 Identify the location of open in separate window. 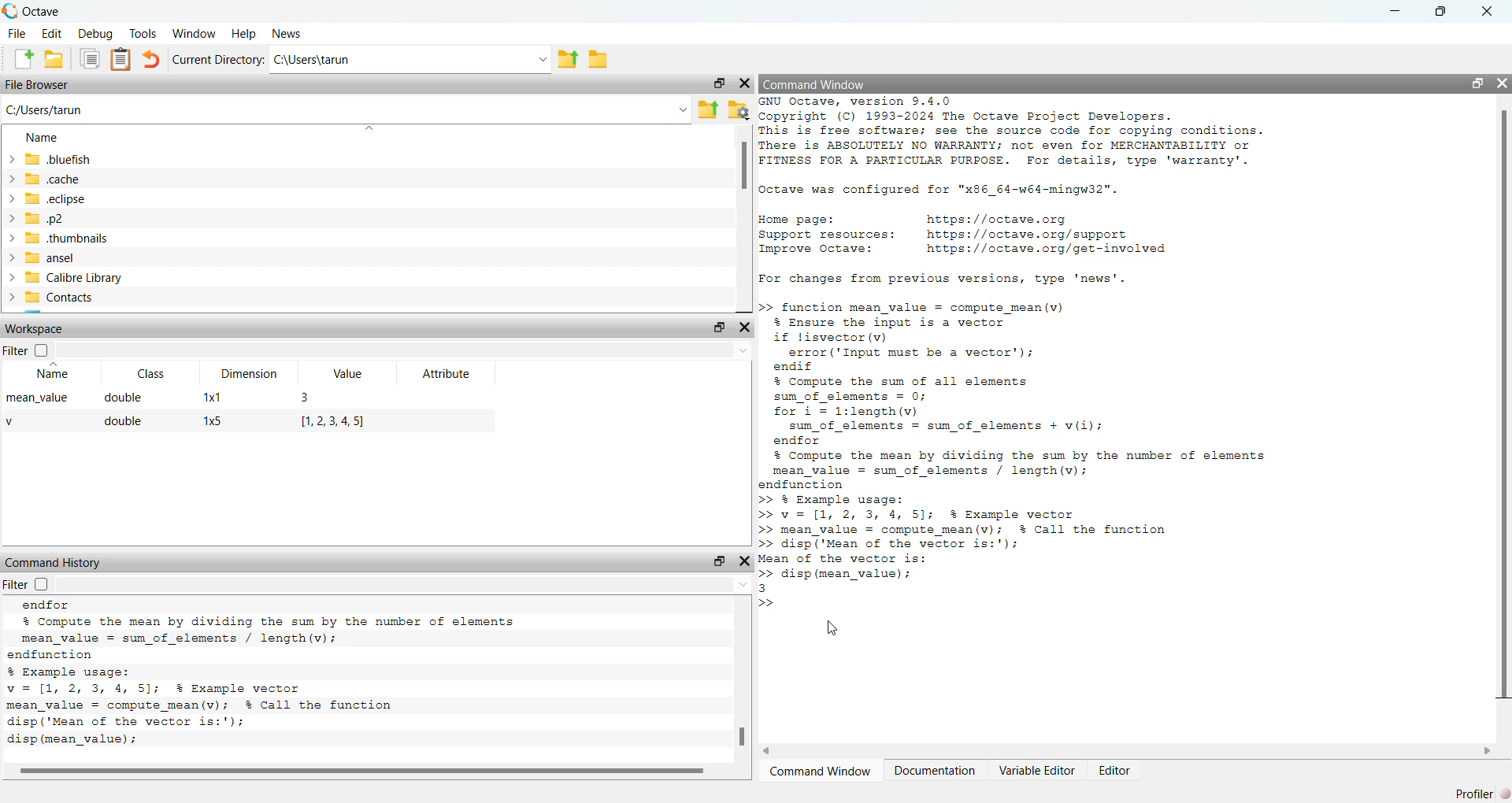
(1478, 83).